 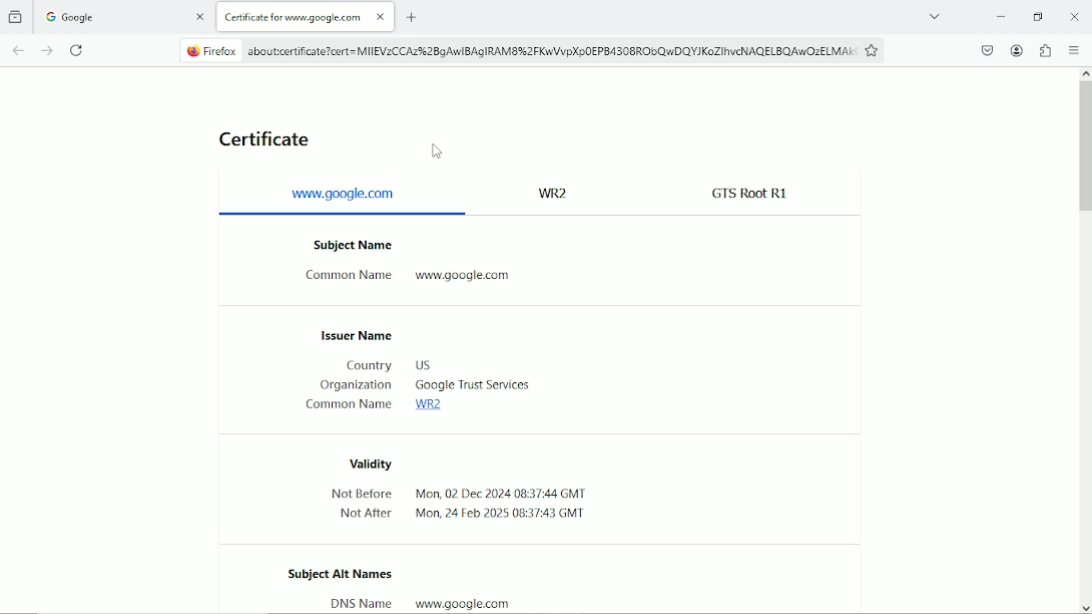 I want to click on www.google.com, so click(x=345, y=194).